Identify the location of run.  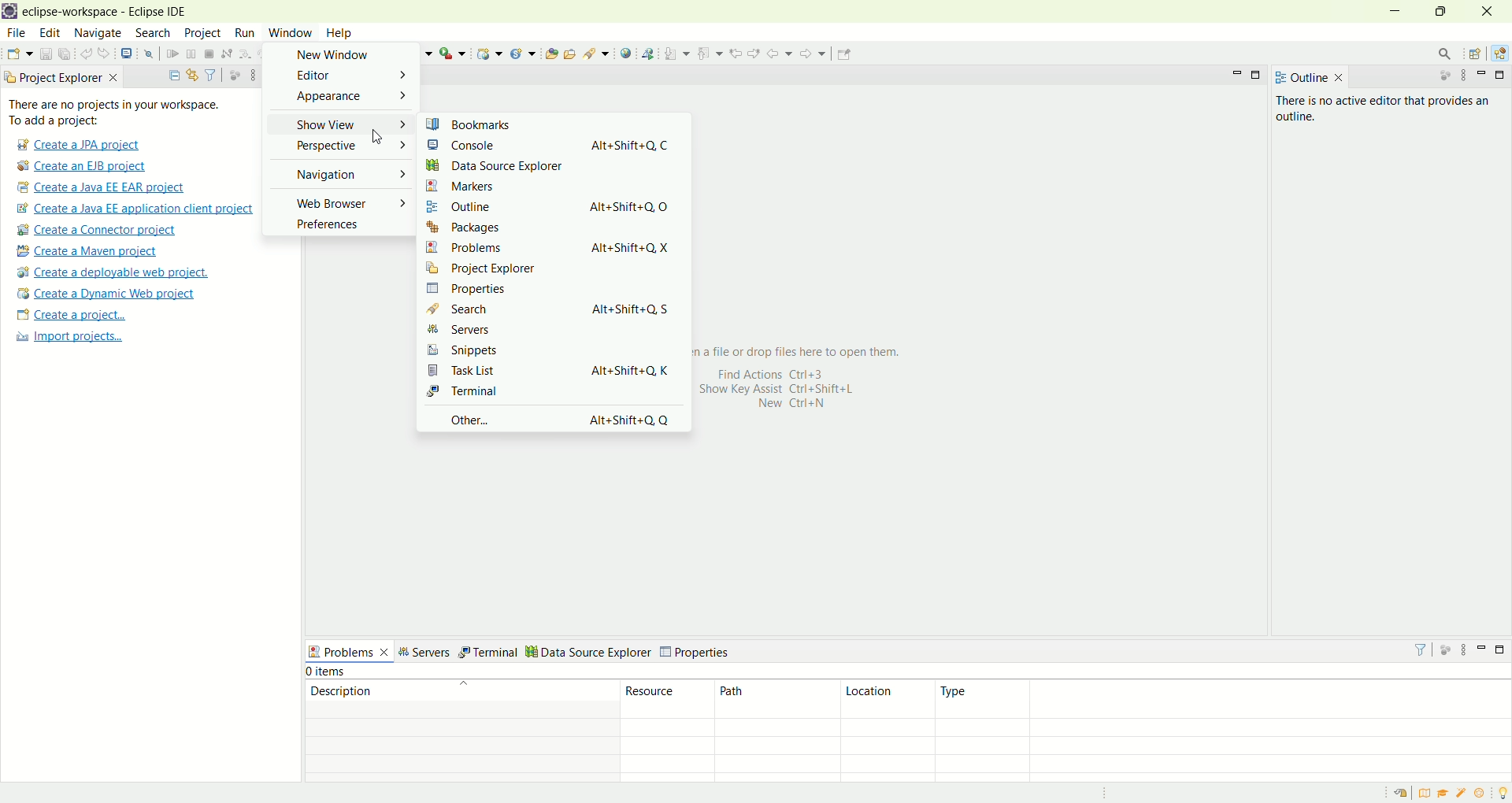
(243, 34).